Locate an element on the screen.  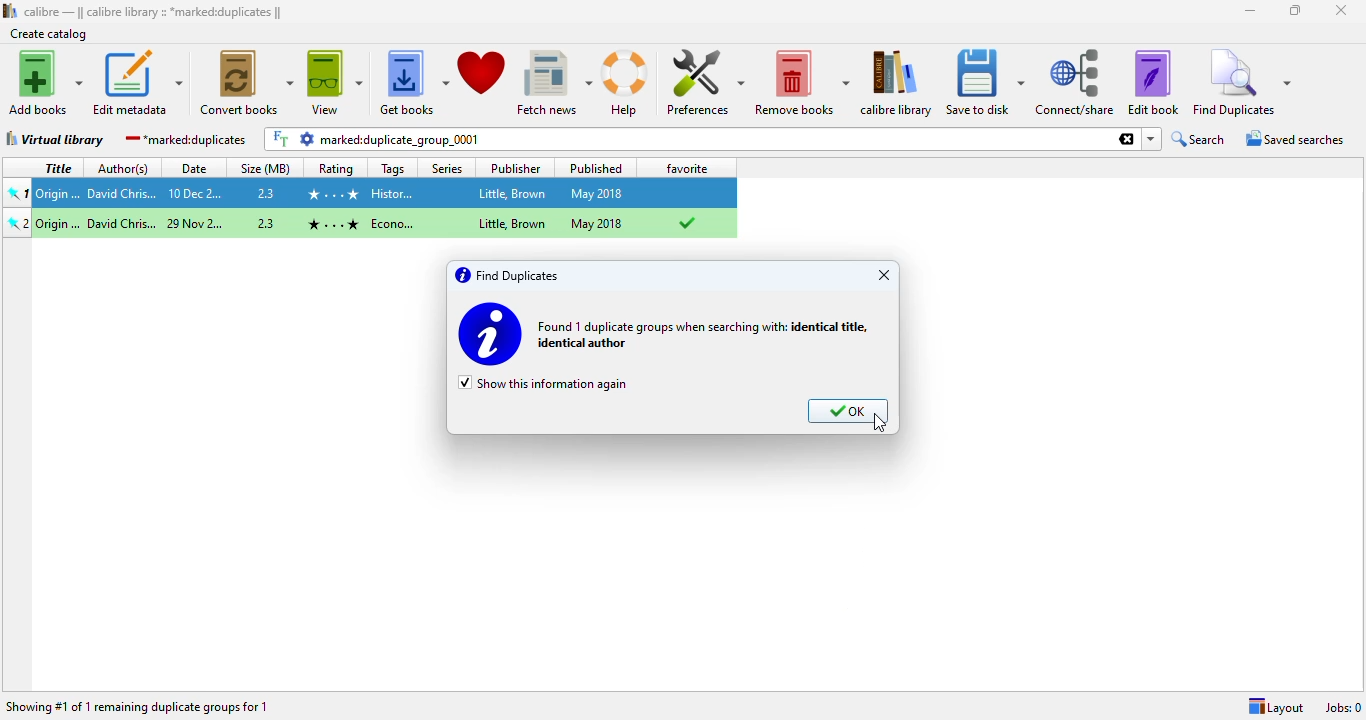
title is located at coordinates (57, 167).